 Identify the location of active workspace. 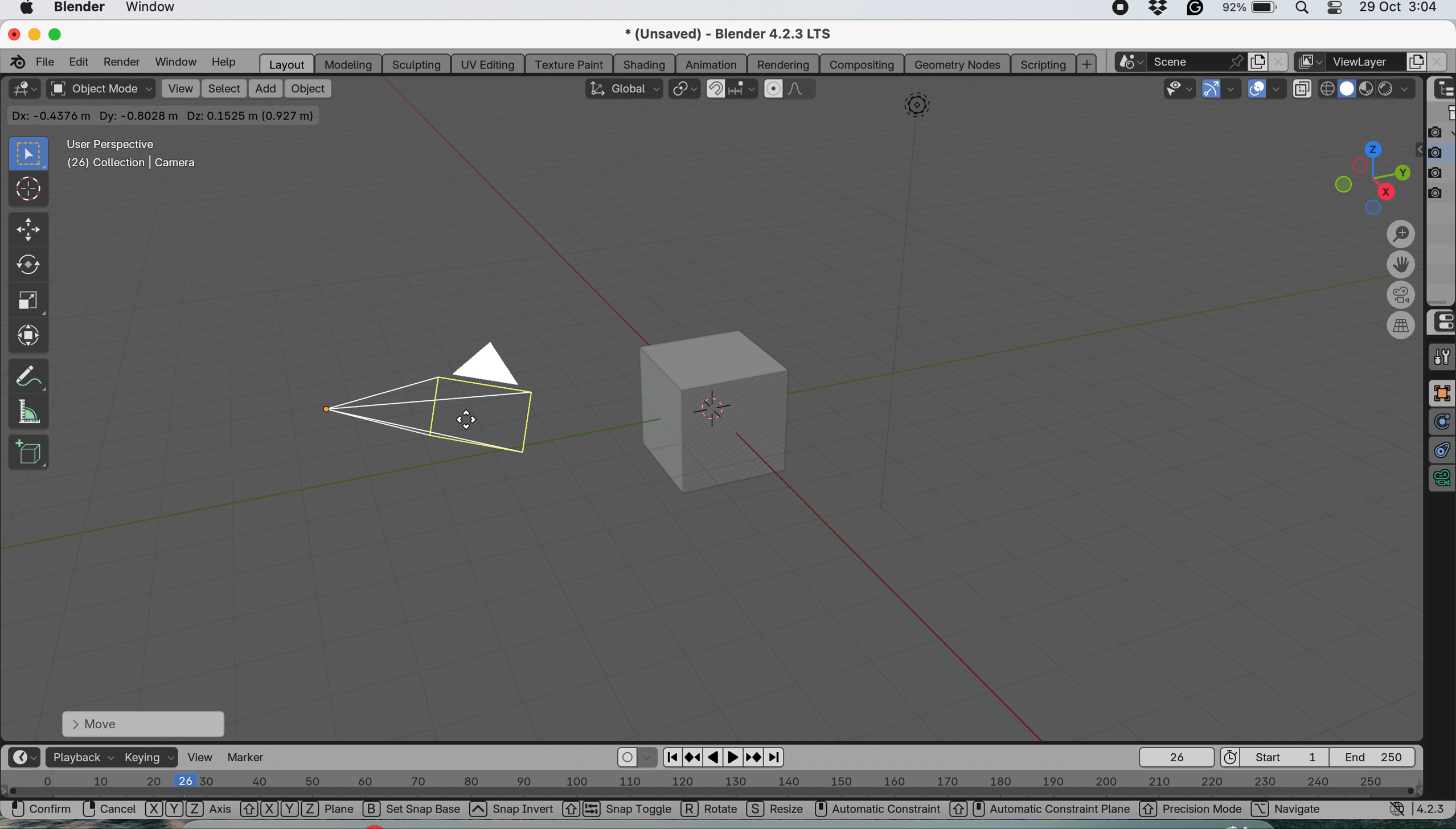
(1307, 63).